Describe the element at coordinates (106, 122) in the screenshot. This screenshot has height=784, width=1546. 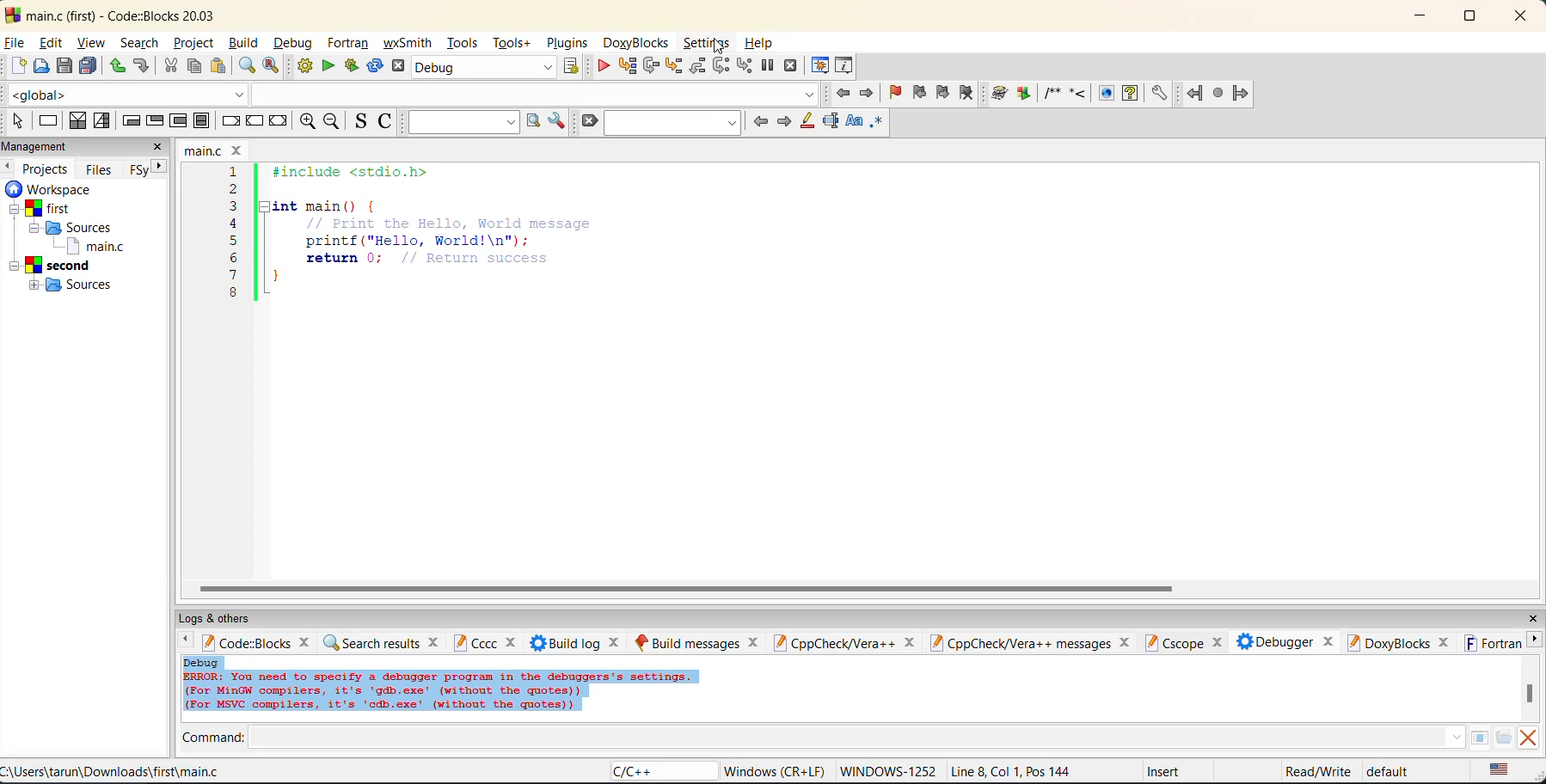
I see `selection` at that location.